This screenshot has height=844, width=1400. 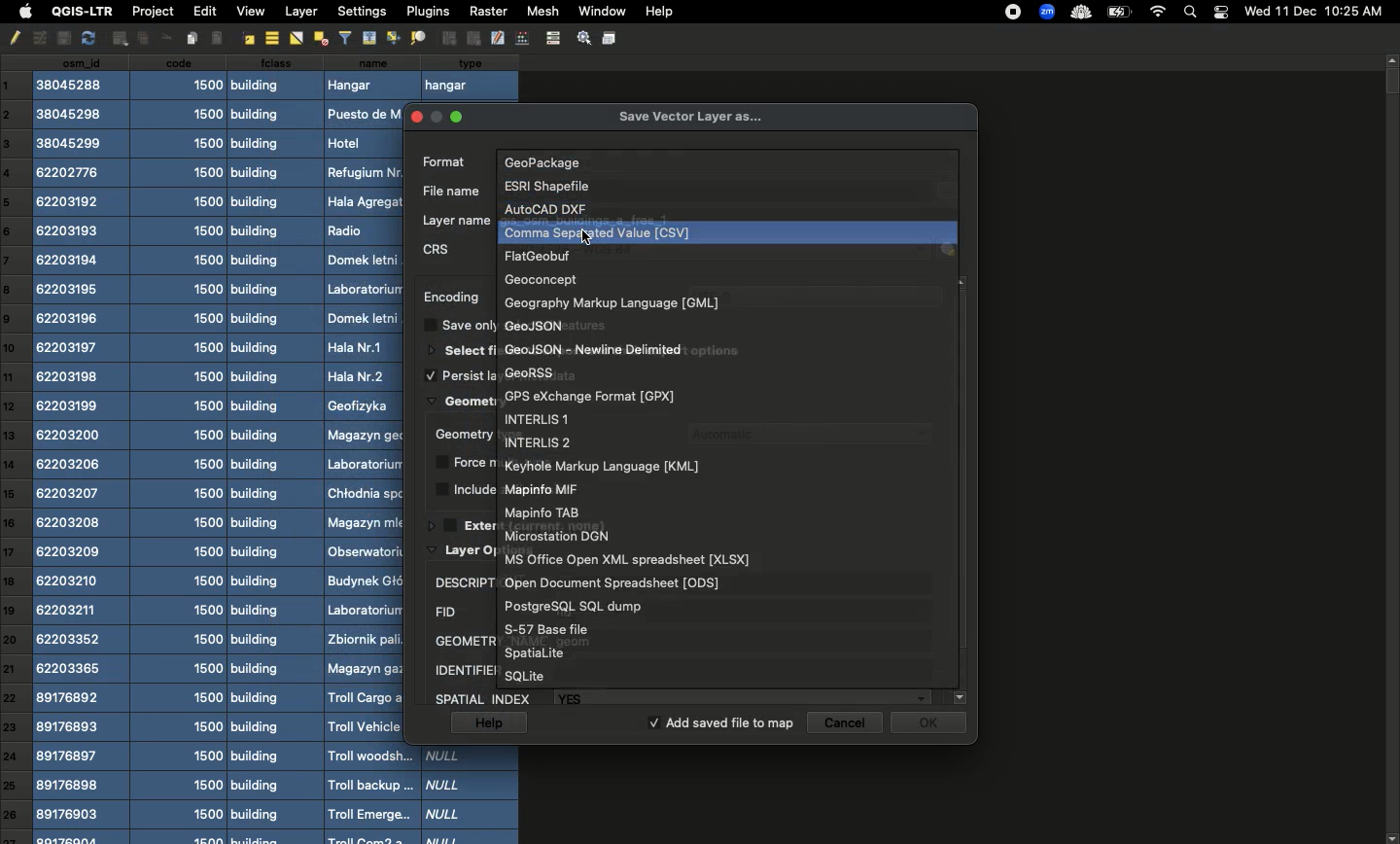 I want to click on Distribute Objects Evenly, so click(x=319, y=38).